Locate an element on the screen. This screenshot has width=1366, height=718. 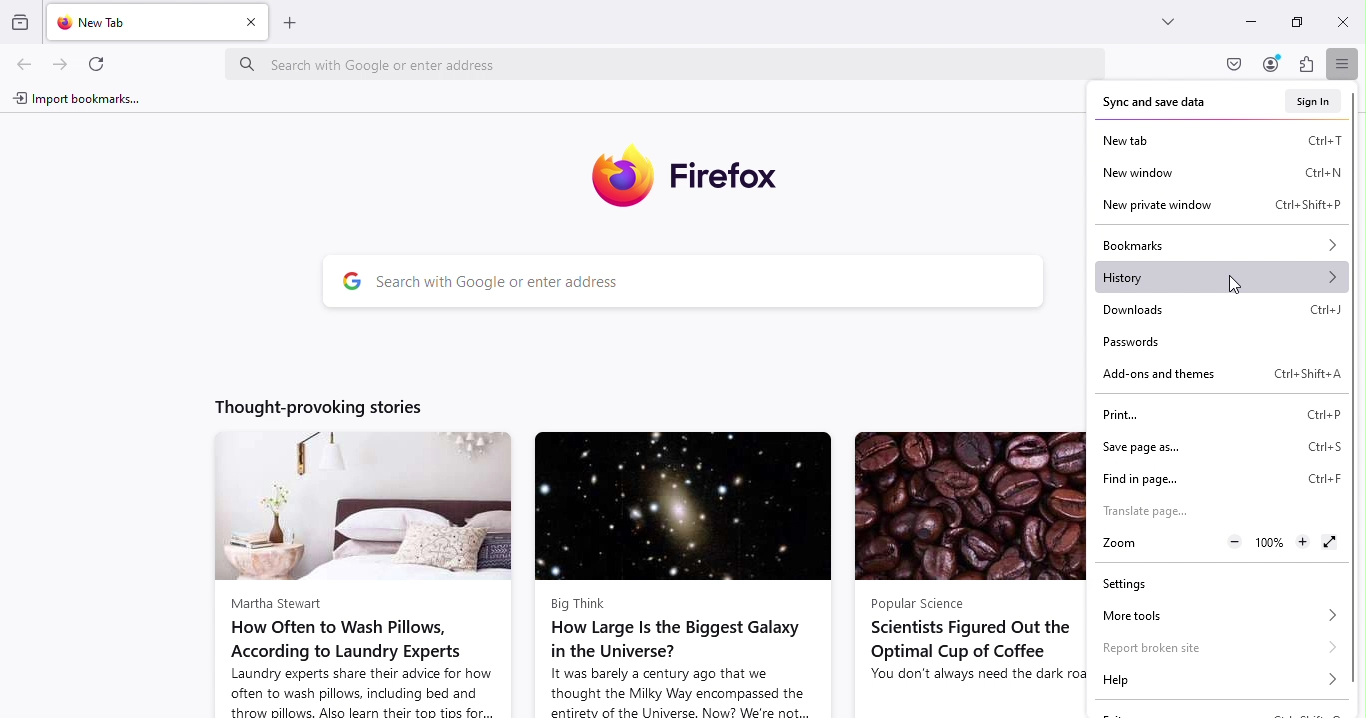
Zoom out is located at coordinates (1234, 543).